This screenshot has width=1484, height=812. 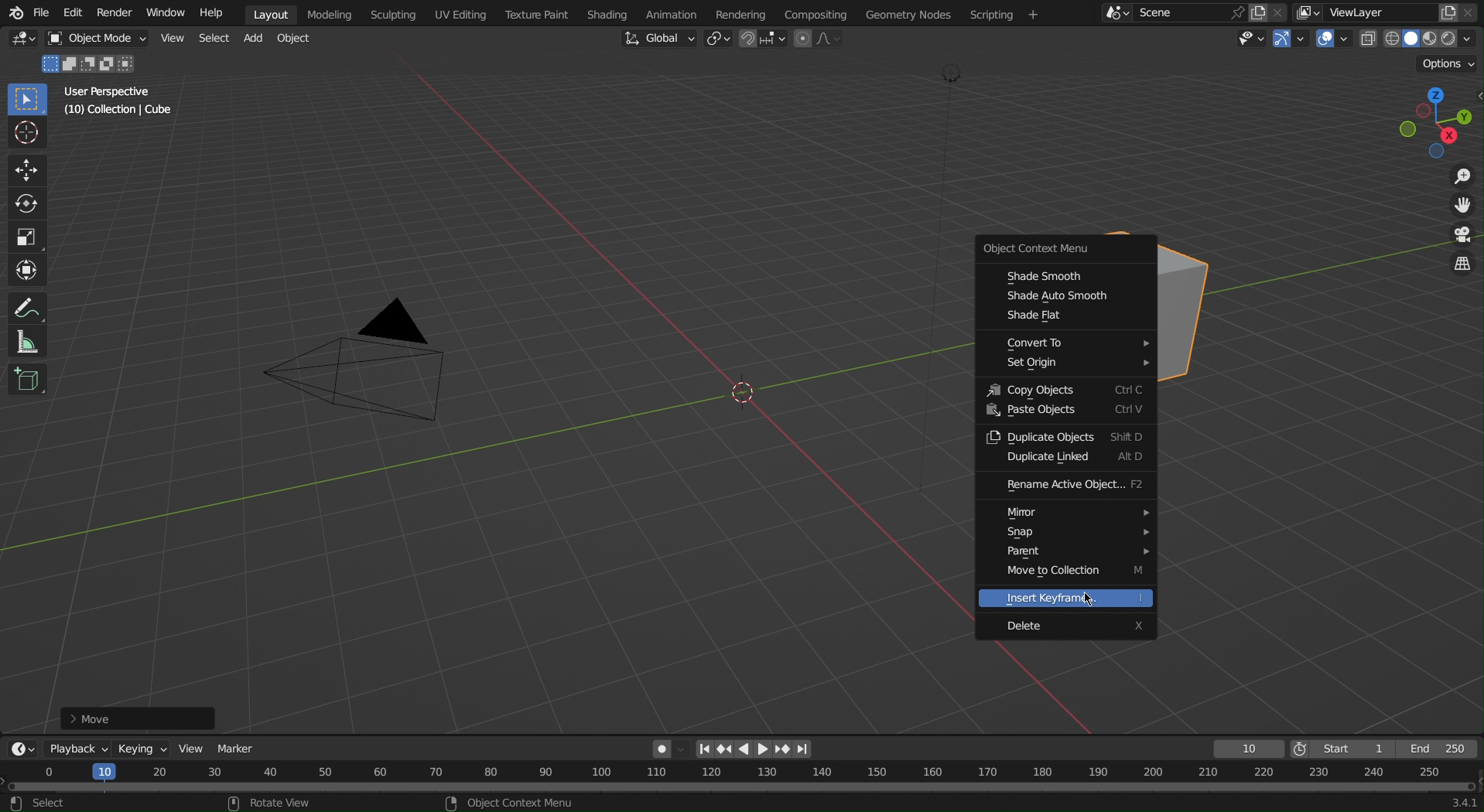 I want to click on Camera, so click(x=365, y=370).